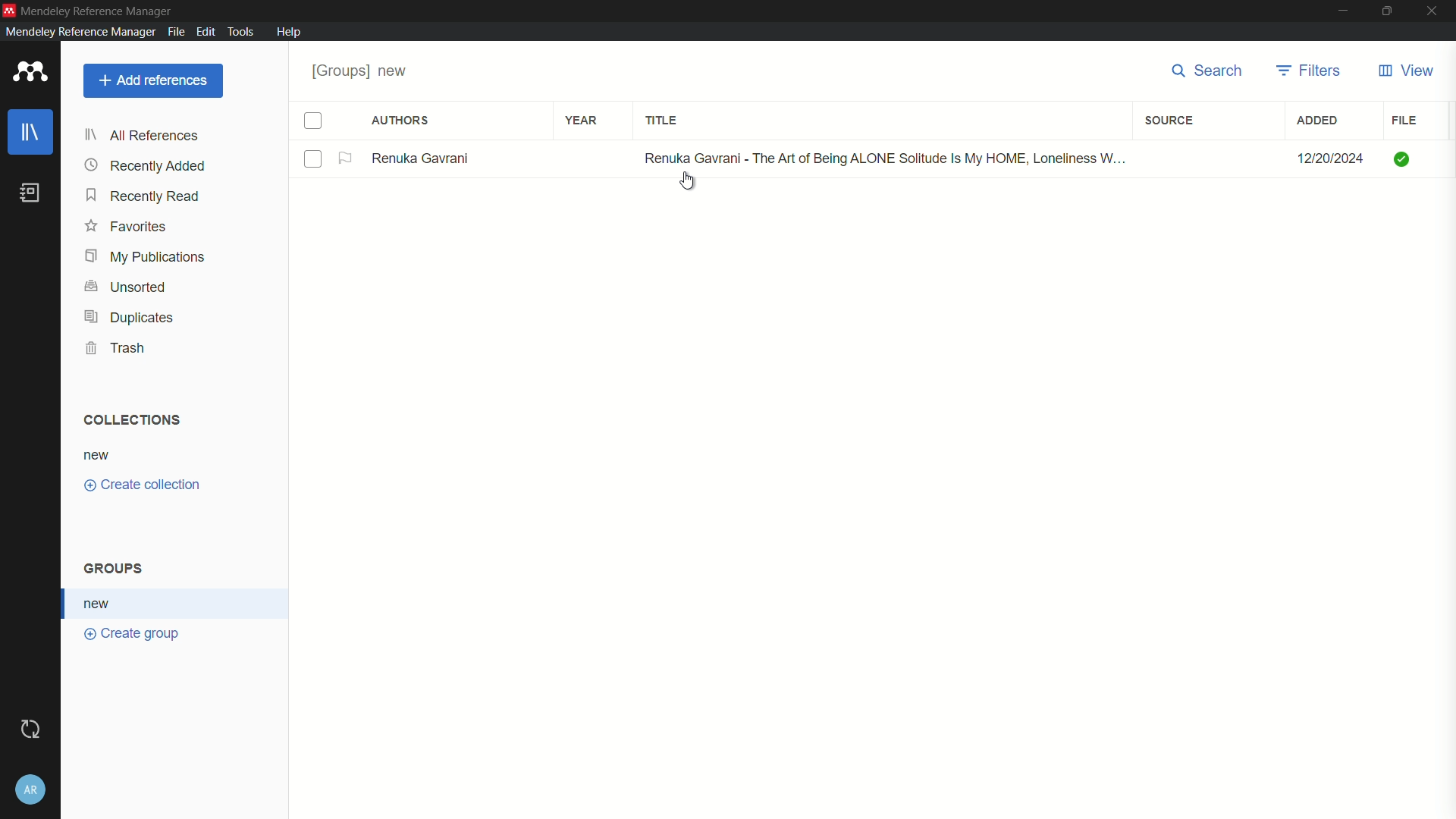  Describe the element at coordinates (1311, 72) in the screenshot. I see `filters` at that location.